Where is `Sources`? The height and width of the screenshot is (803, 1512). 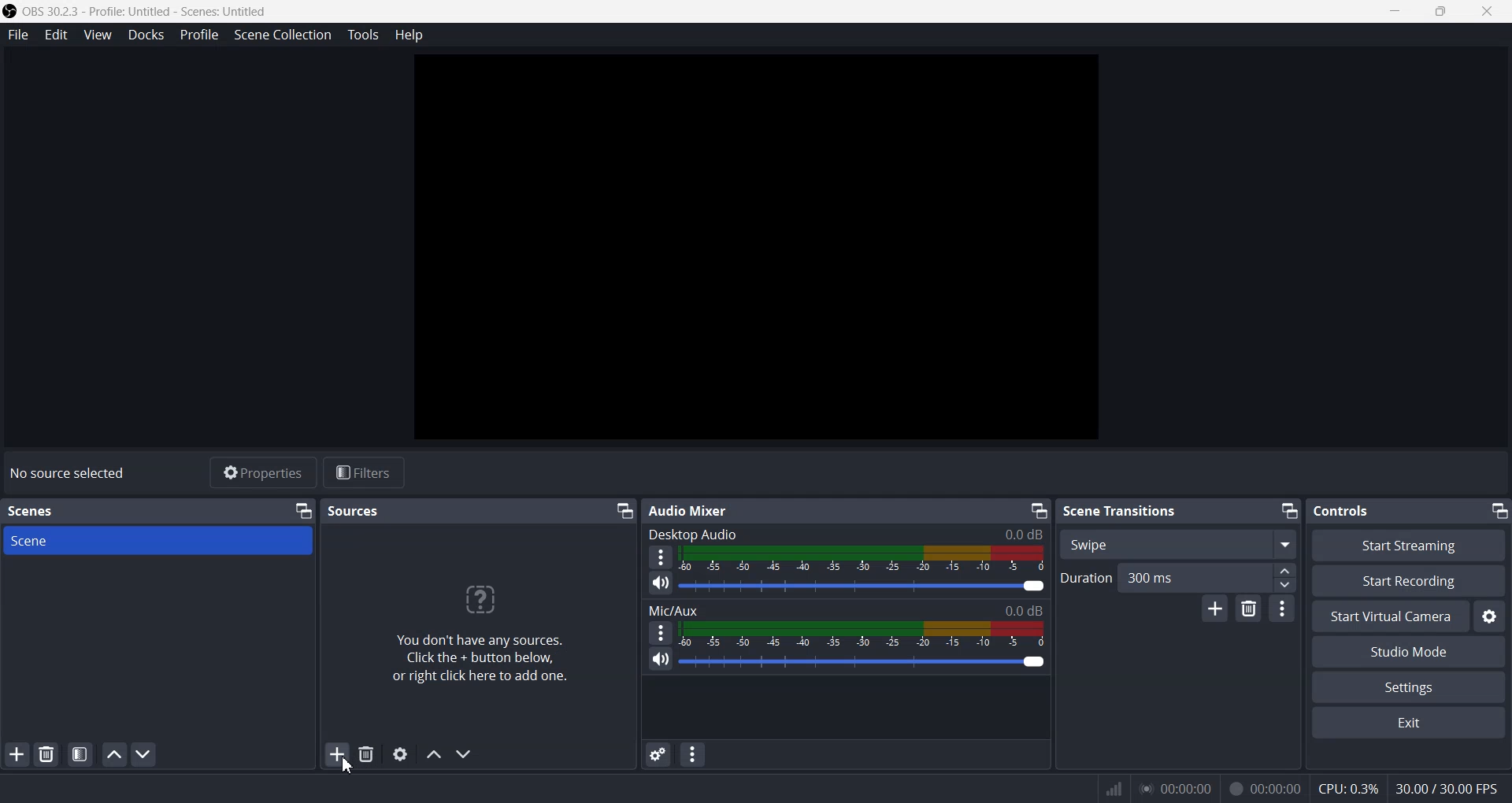 Sources is located at coordinates (357, 511).